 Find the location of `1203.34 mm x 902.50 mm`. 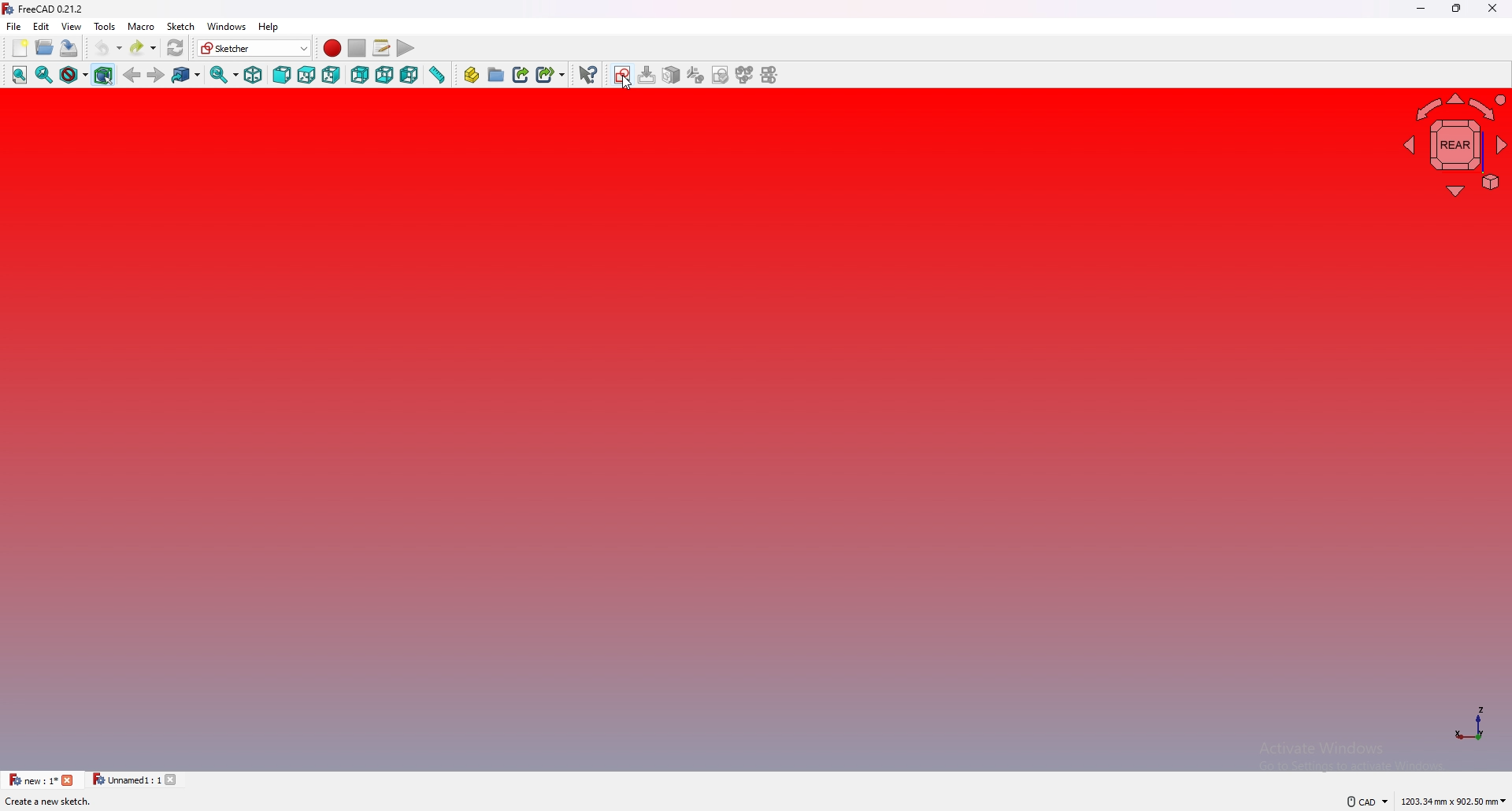

1203.34 mm x 902.50 mm is located at coordinates (1454, 800).